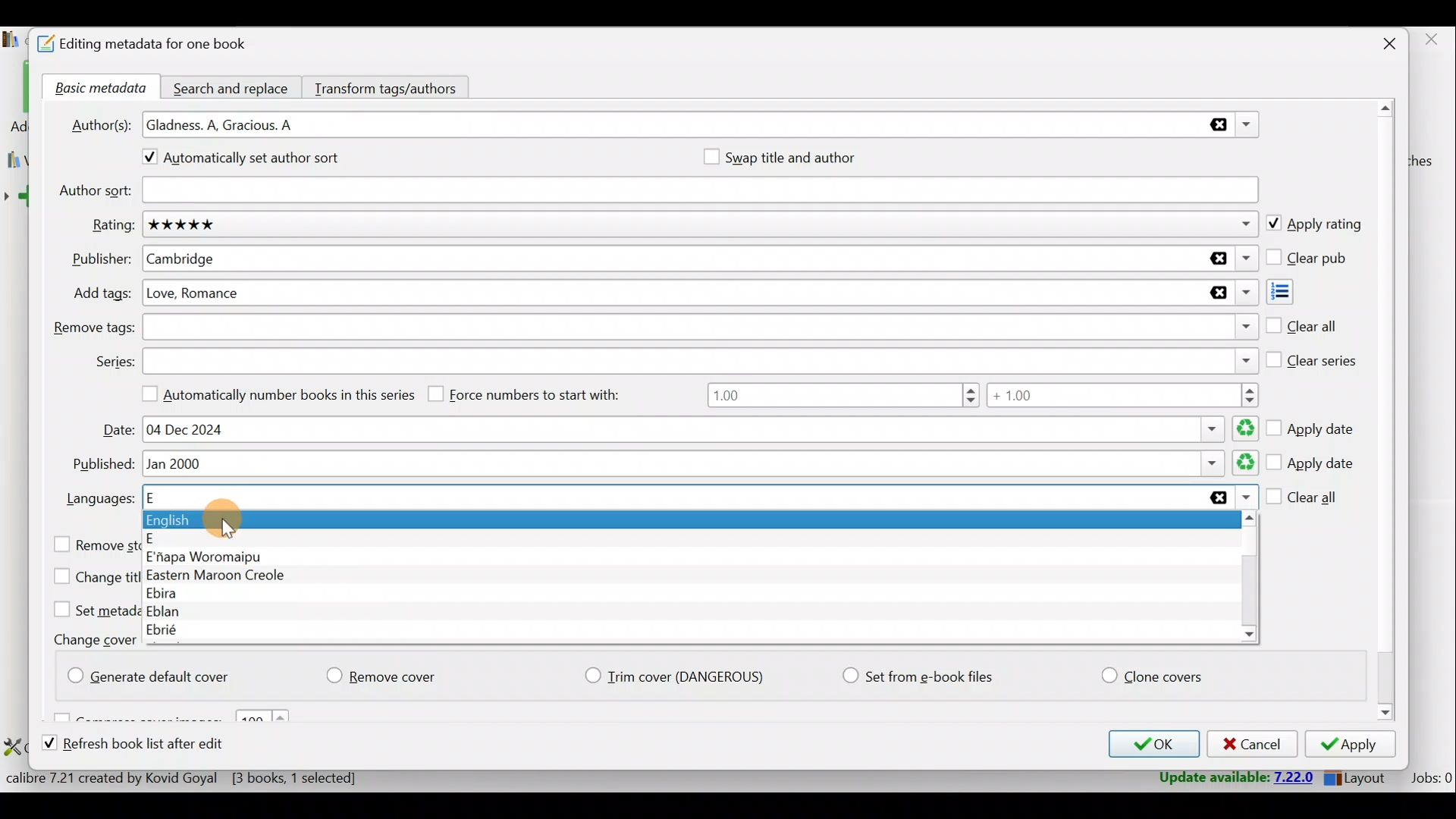 The width and height of the screenshot is (1456, 819). What do you see at coordinates (1430, 777) in the screenshot?
I see `Jobs` at bounding box center [1430, 777].